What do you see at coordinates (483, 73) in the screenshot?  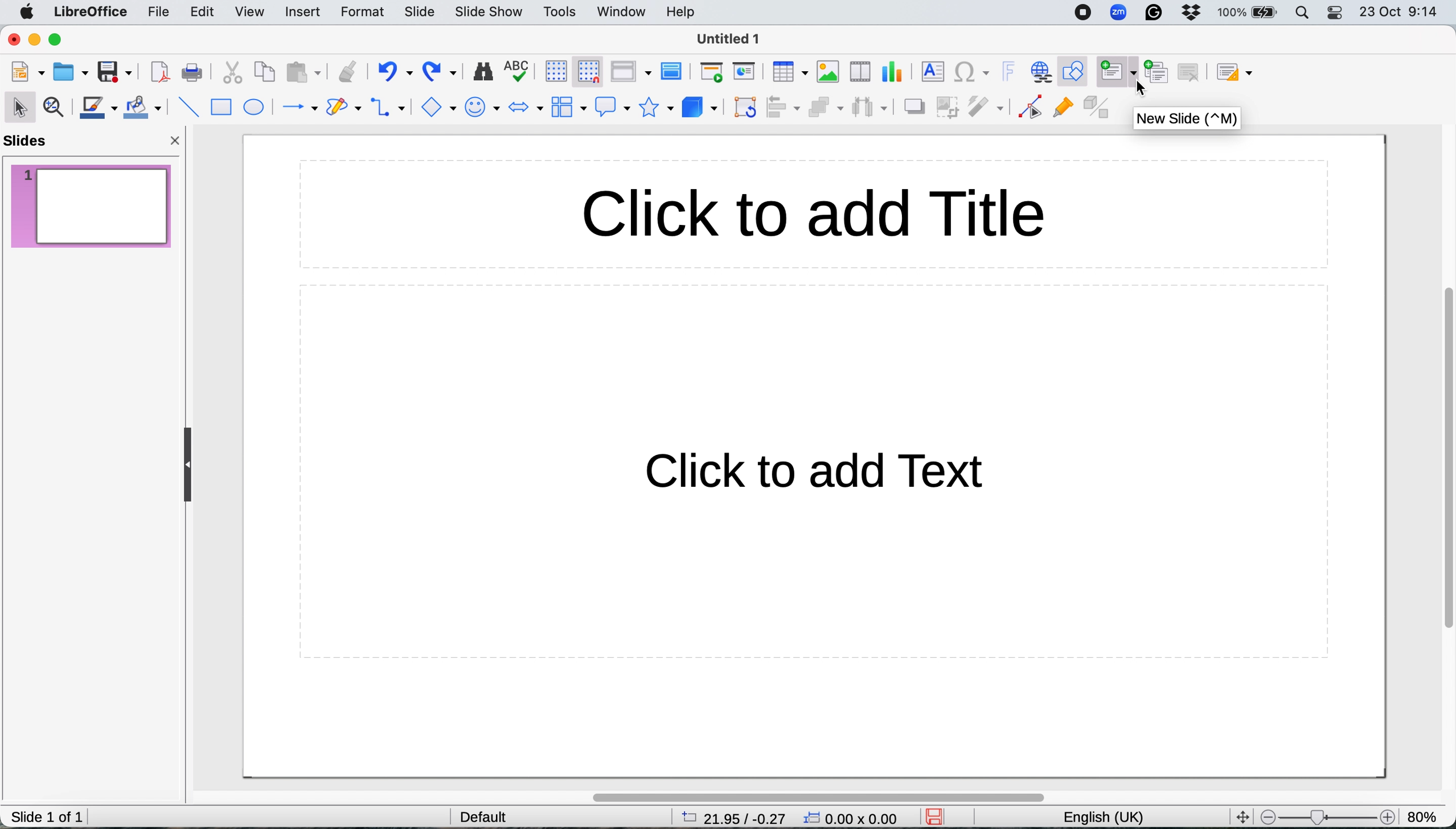 I see `find and replace` at bounding box center [483, 73].